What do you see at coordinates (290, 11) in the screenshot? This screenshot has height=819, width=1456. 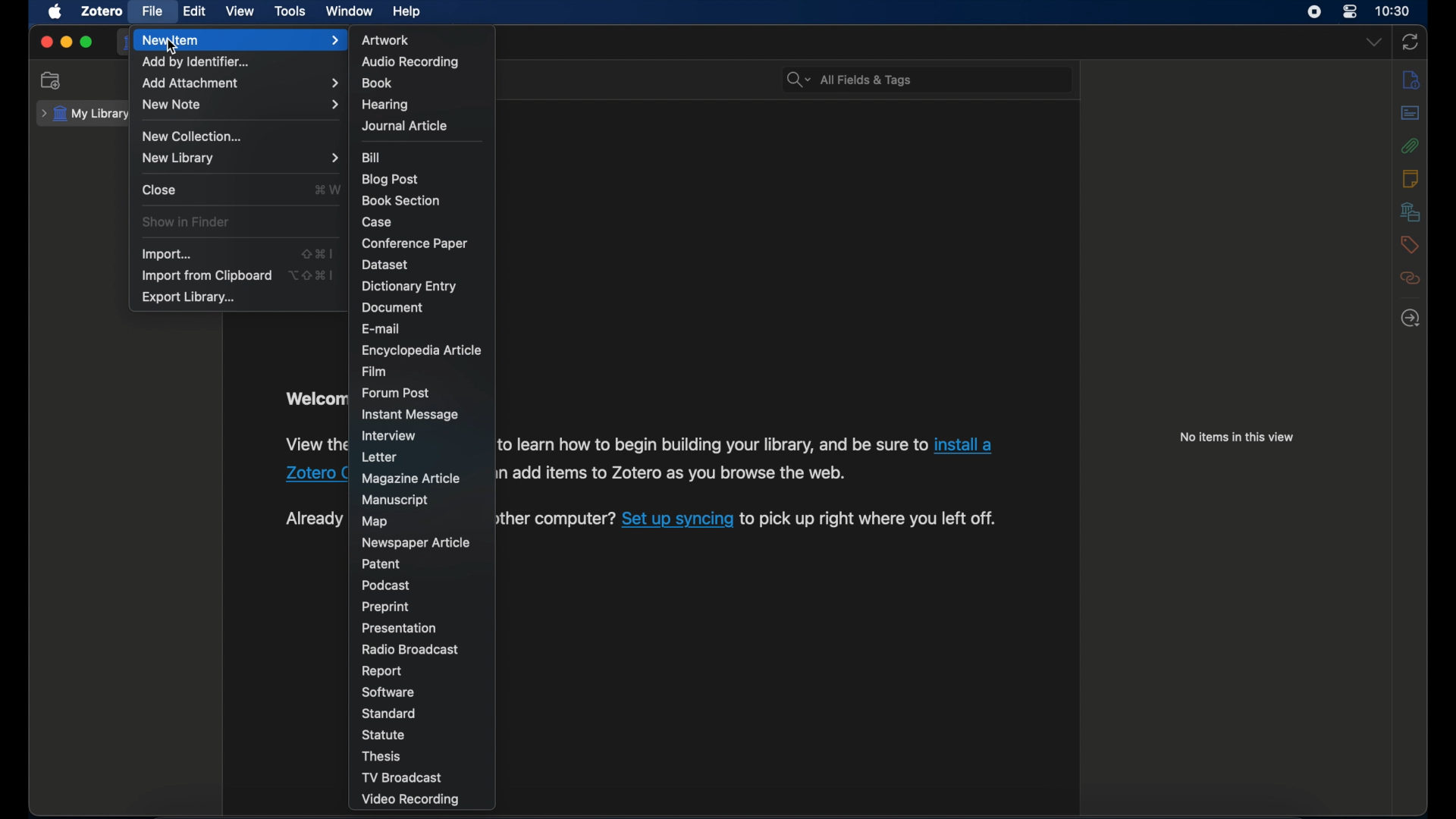 I see `tools` at bounding box center [290, 11].